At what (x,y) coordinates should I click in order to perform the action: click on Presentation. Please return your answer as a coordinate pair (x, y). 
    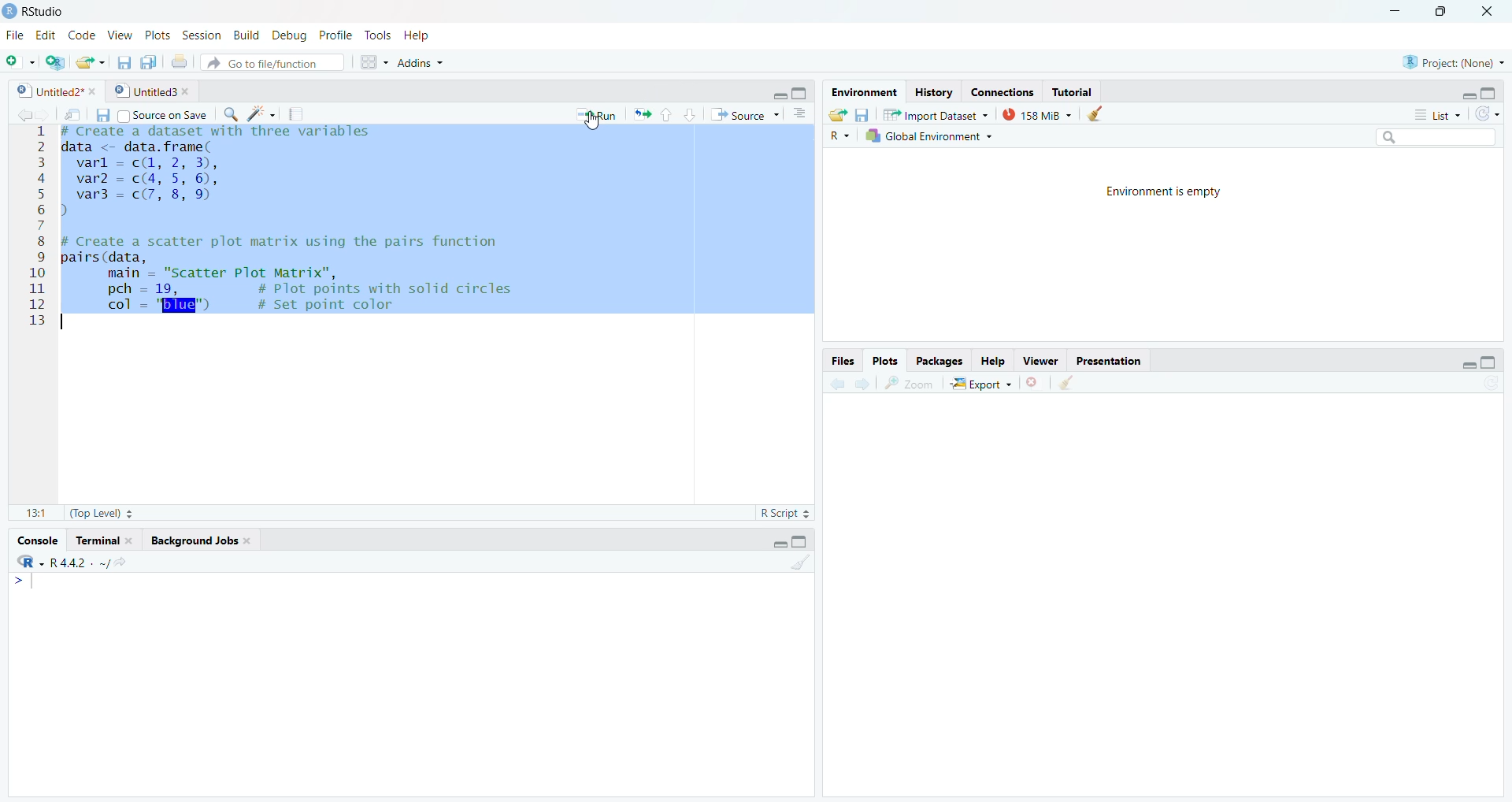
    Looking at the image, I should click on (1110, 361).